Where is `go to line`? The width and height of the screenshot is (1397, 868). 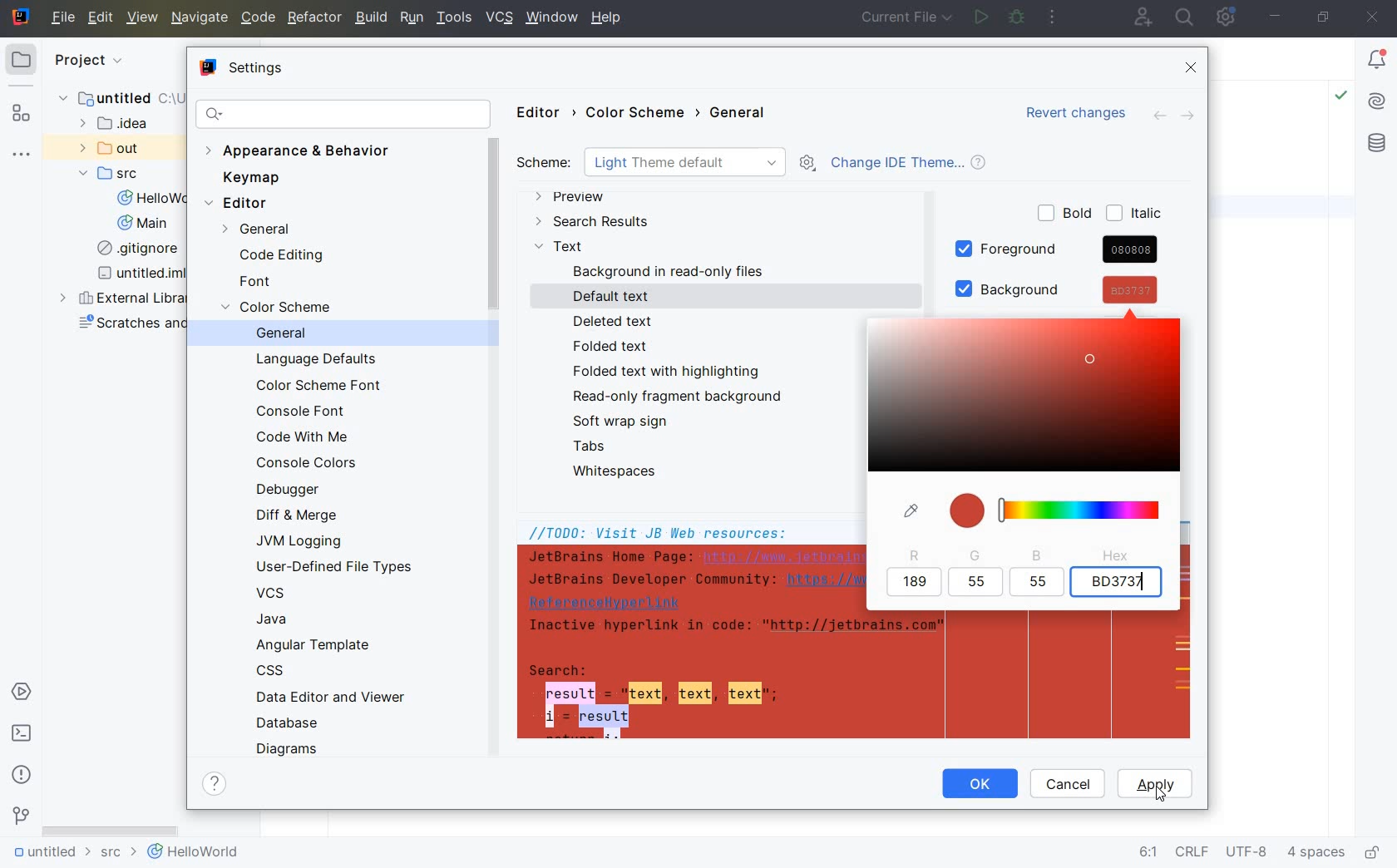 go to line is located at coordinates (1147, 853).